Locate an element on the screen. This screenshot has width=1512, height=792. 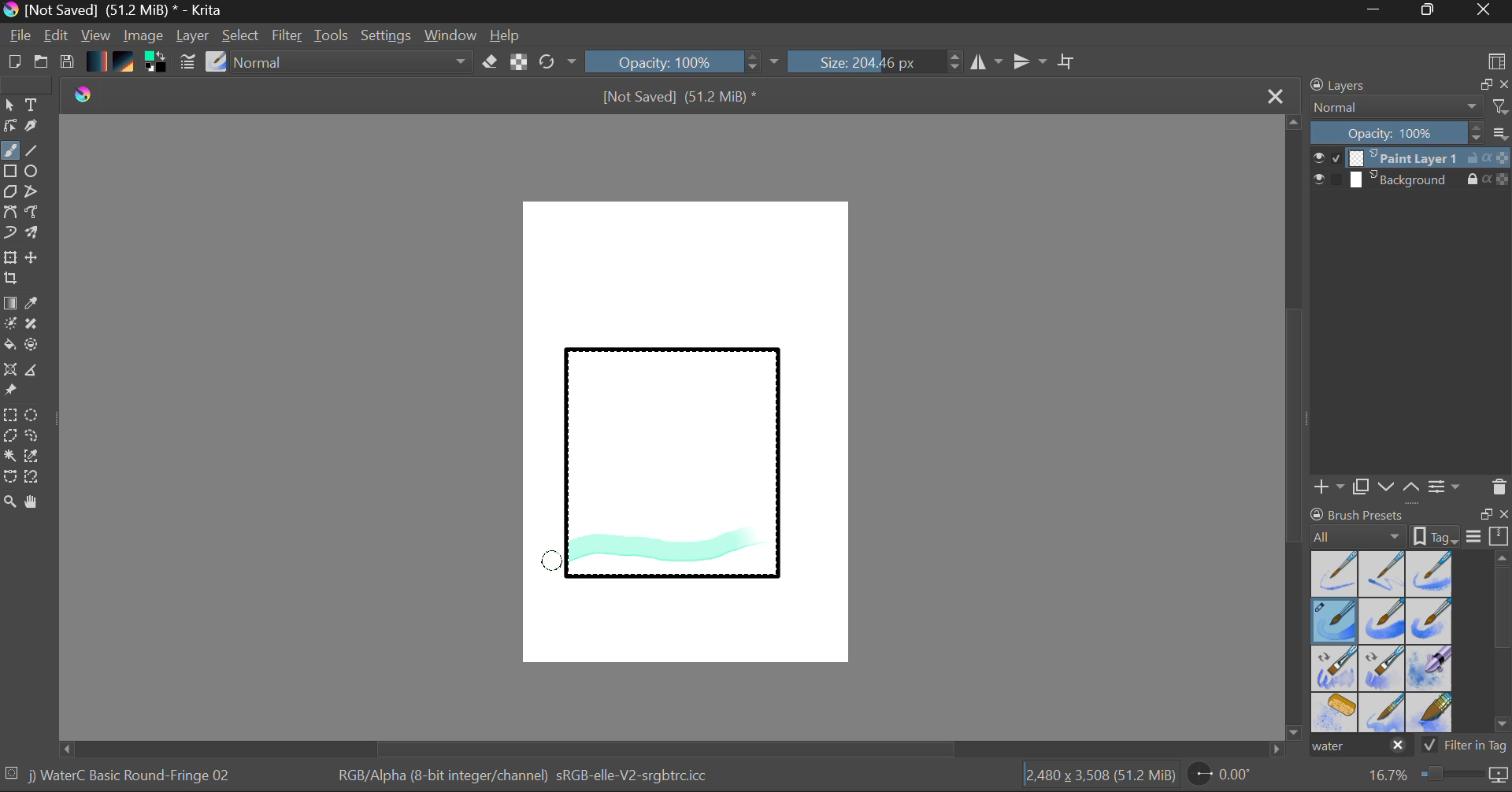
Dynamic Brush is located at coordinates (9, 233).